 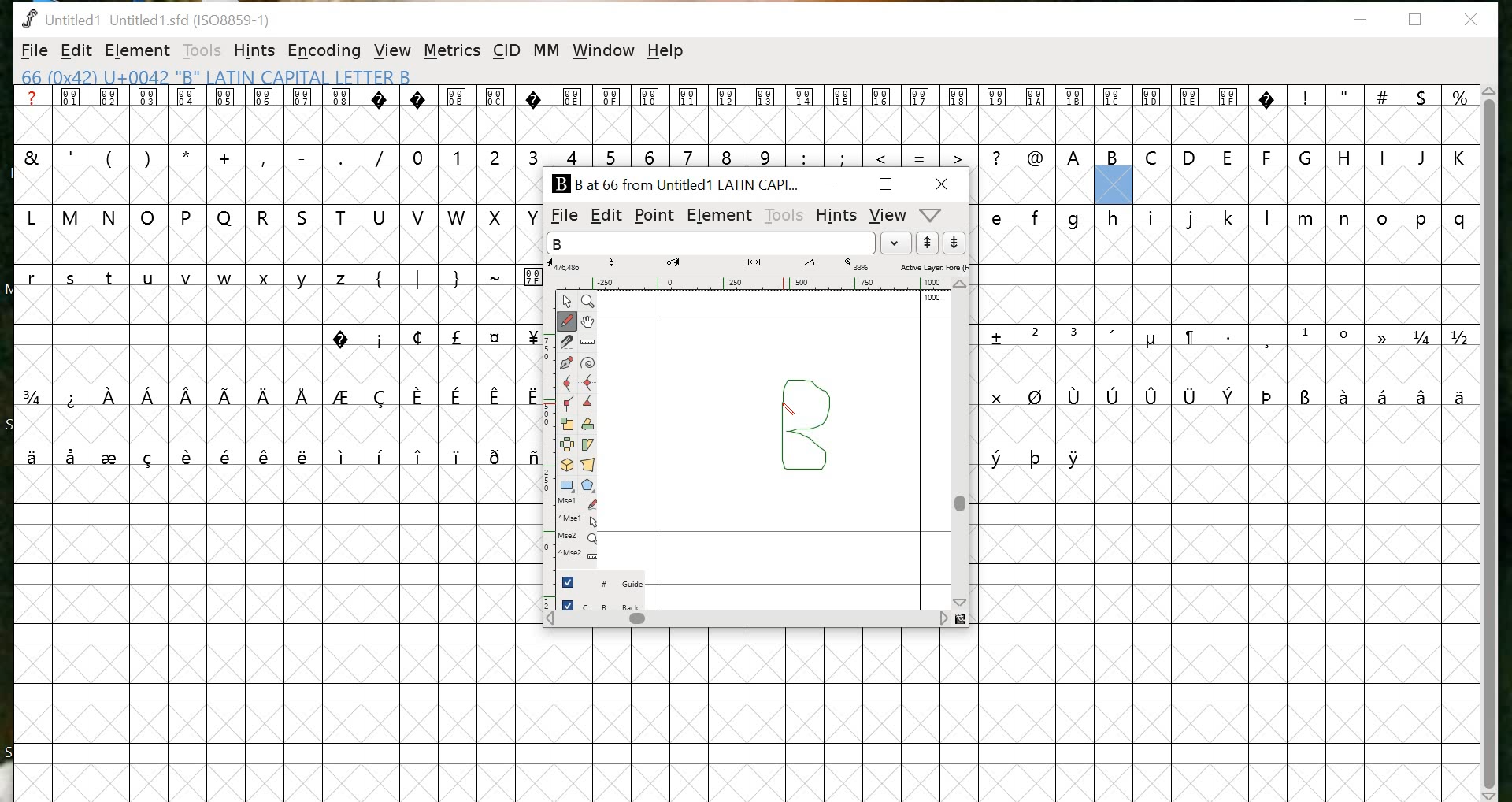 I want to click on design for the letter "B", so click(x=804, y=431).